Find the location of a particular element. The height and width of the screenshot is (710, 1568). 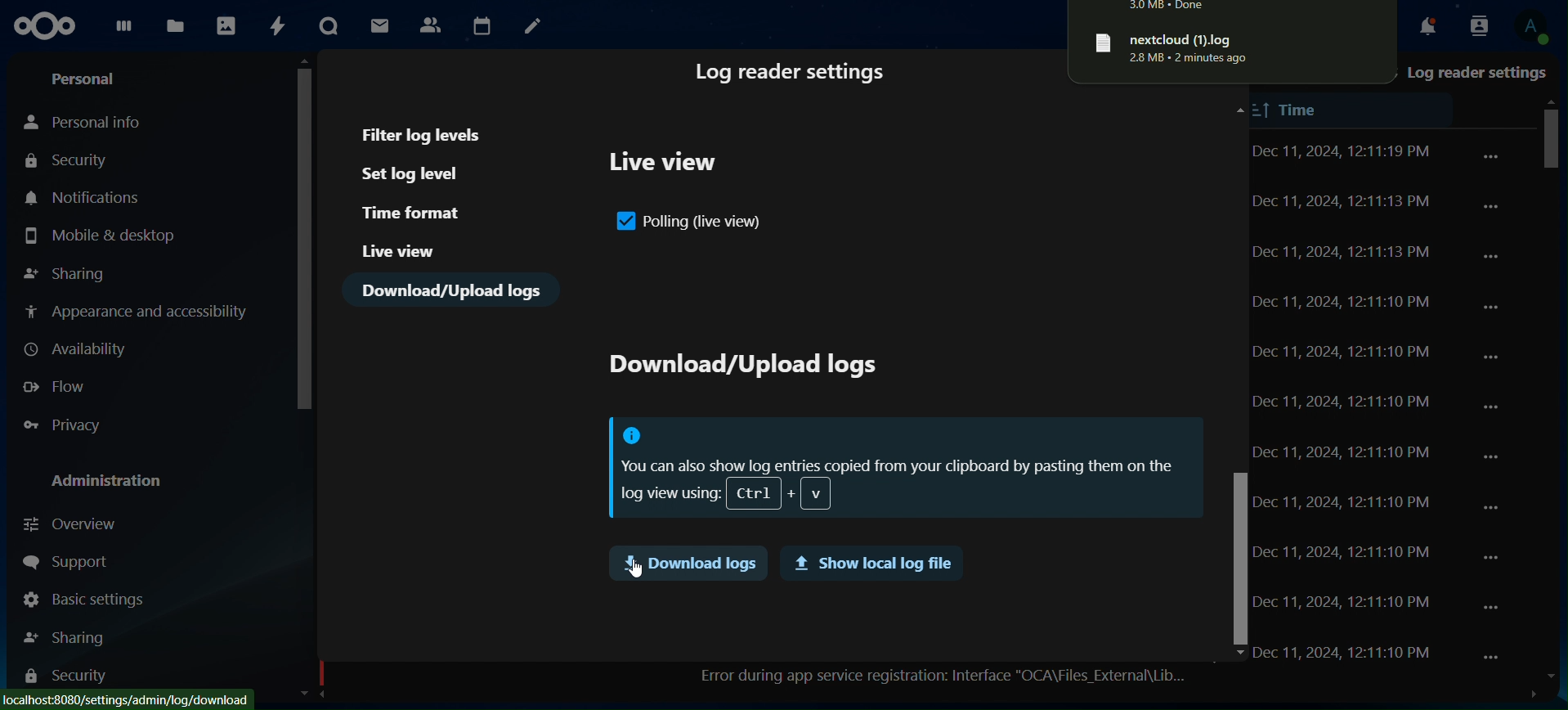

show local log file is located at coordinates (869, 564).